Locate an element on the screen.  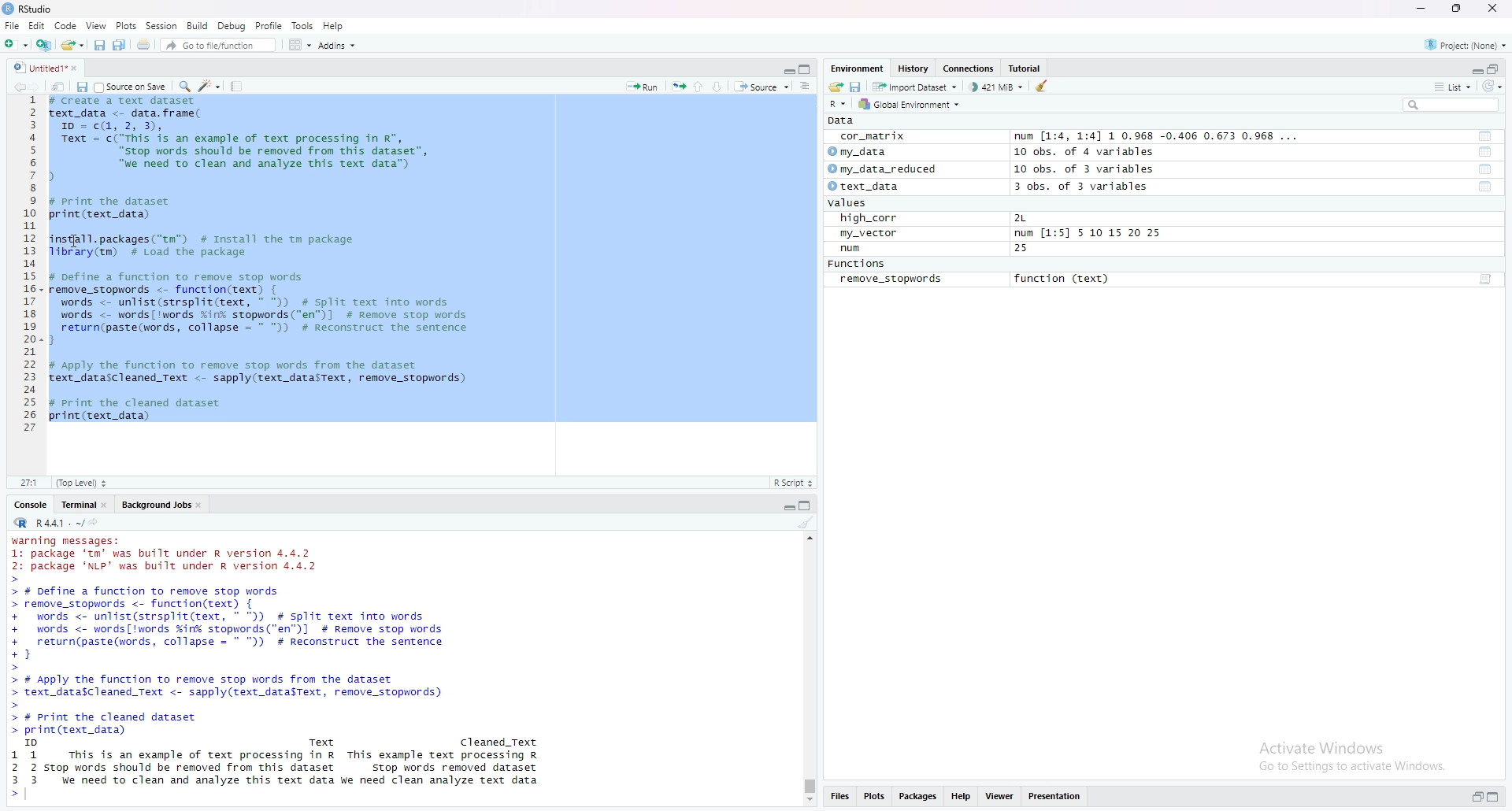
addins is located at coordinates (339, 46).